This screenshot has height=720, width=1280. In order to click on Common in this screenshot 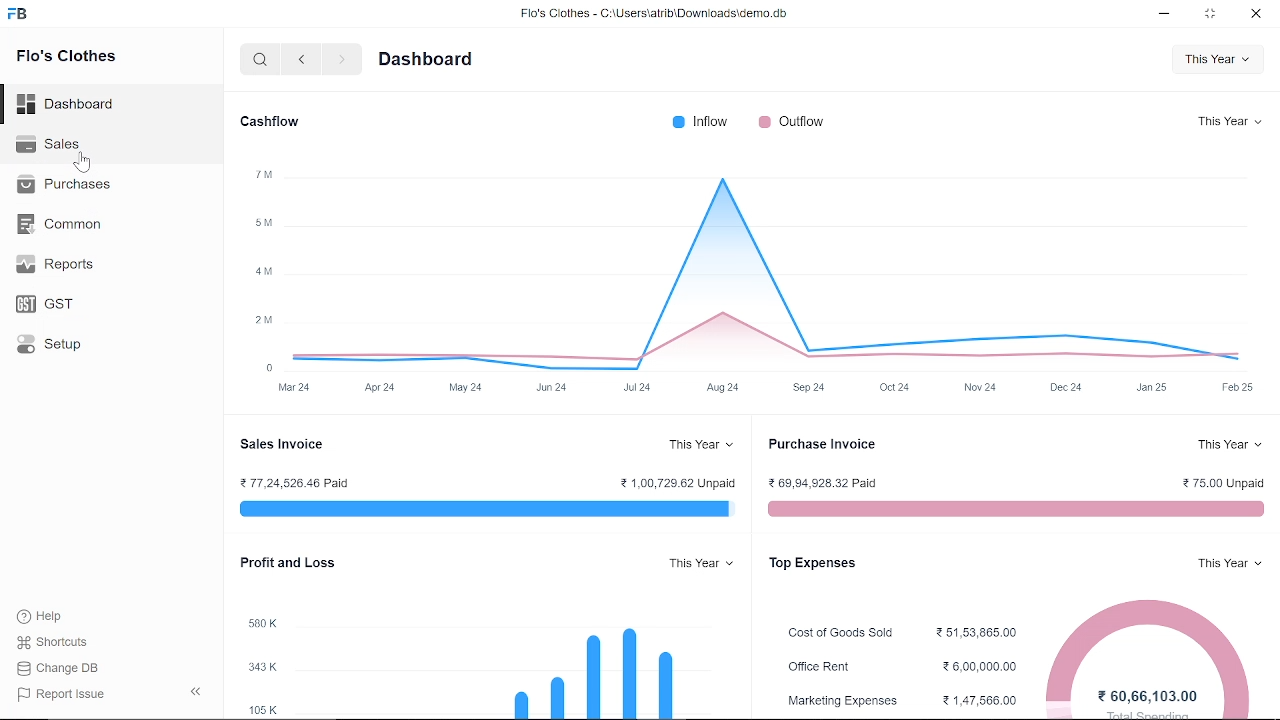, I will do `click(71, 223)`.